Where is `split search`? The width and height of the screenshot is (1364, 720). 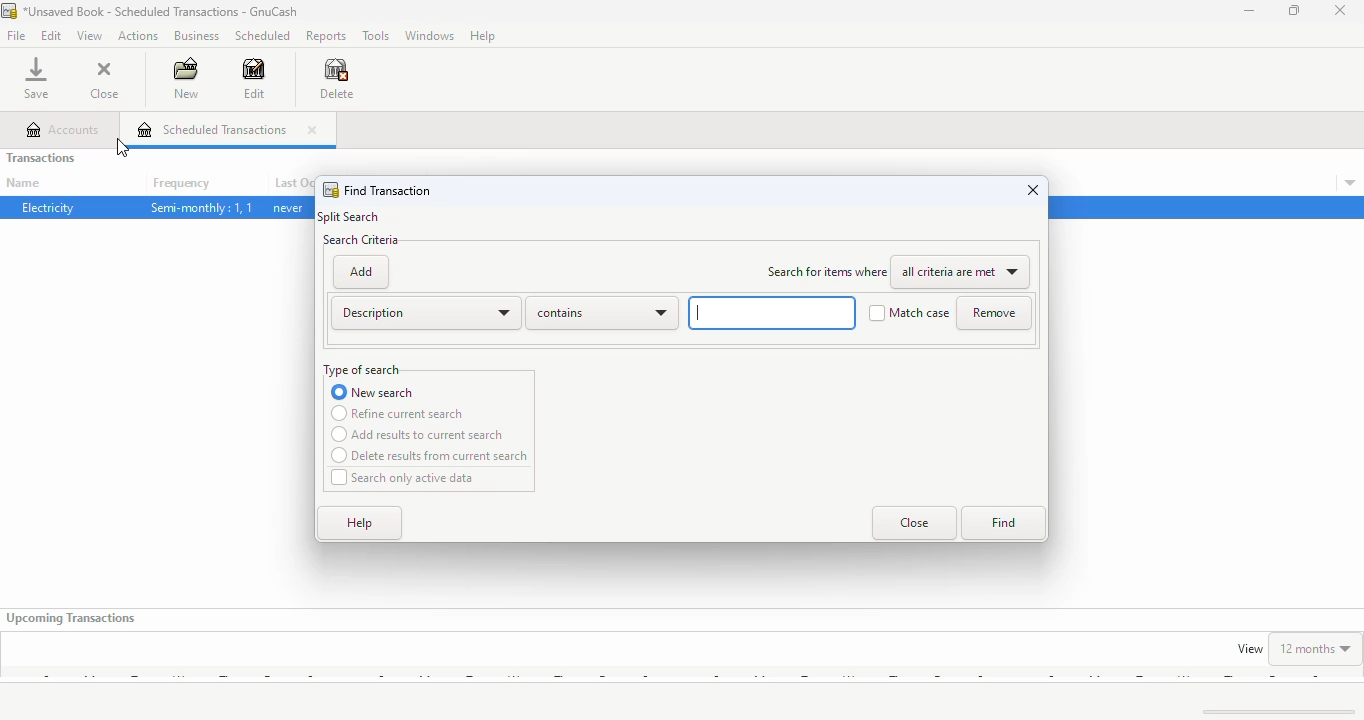
split search is located at coordinates (350, 217).